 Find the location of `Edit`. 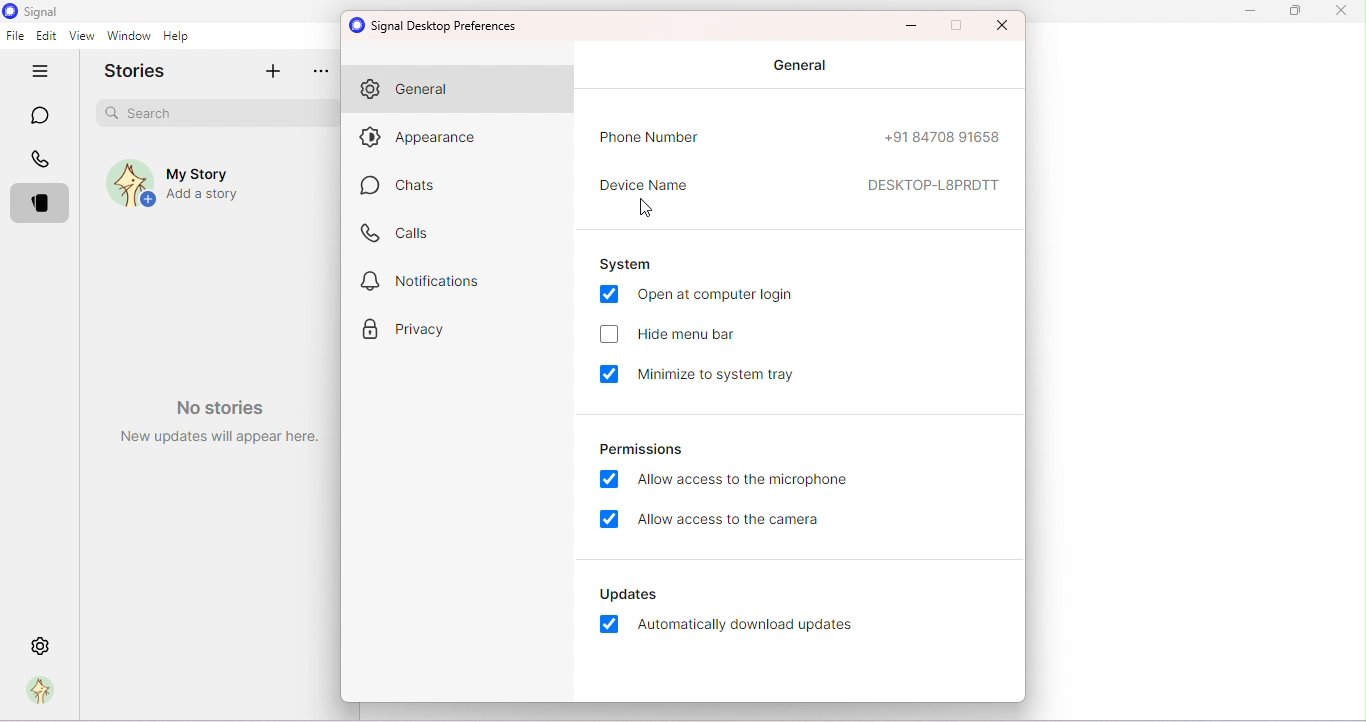

Edit is located at coordinates (48, 38).